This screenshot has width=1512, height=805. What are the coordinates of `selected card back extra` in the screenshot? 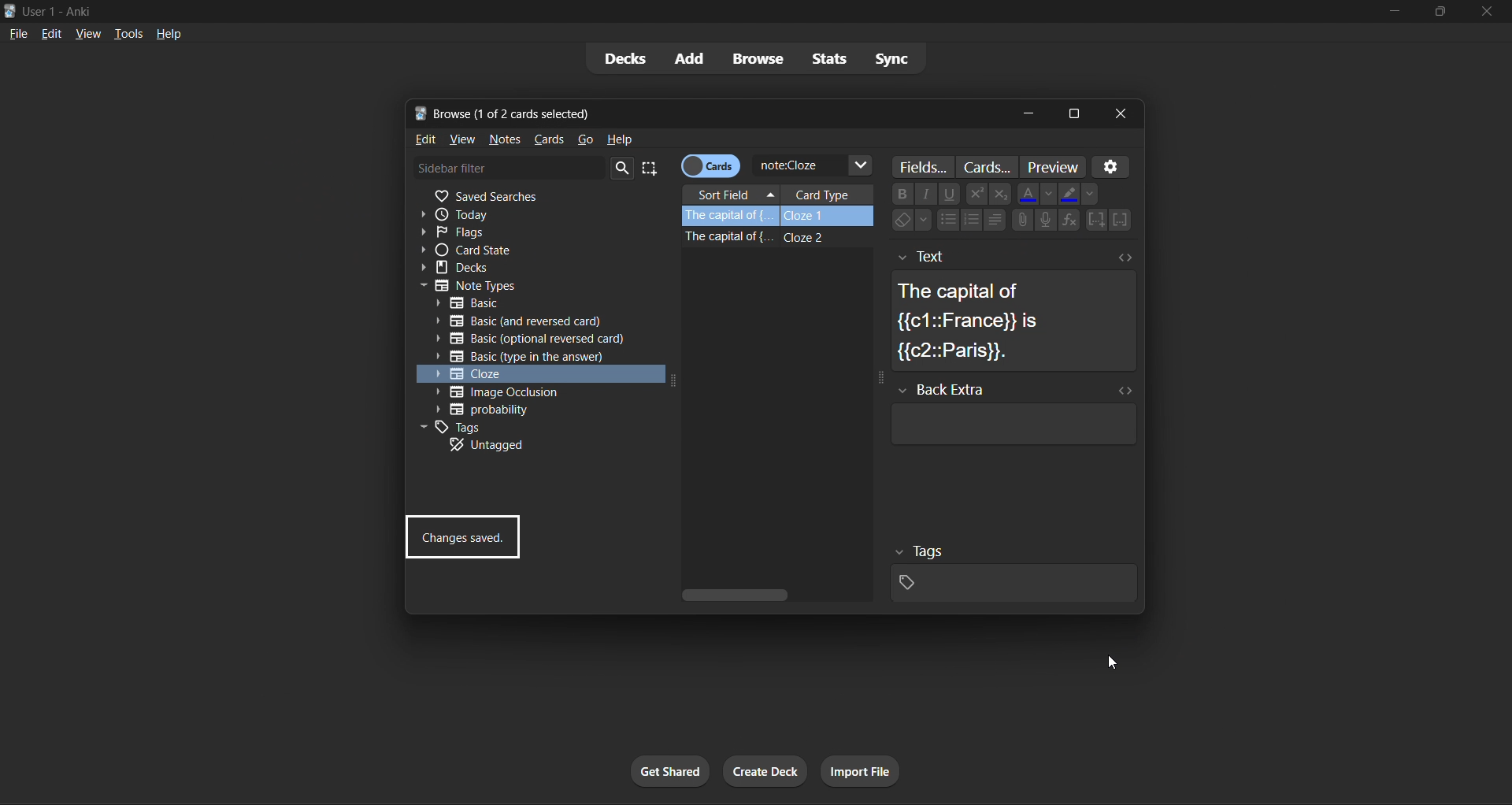 It's located at (1010, 414).